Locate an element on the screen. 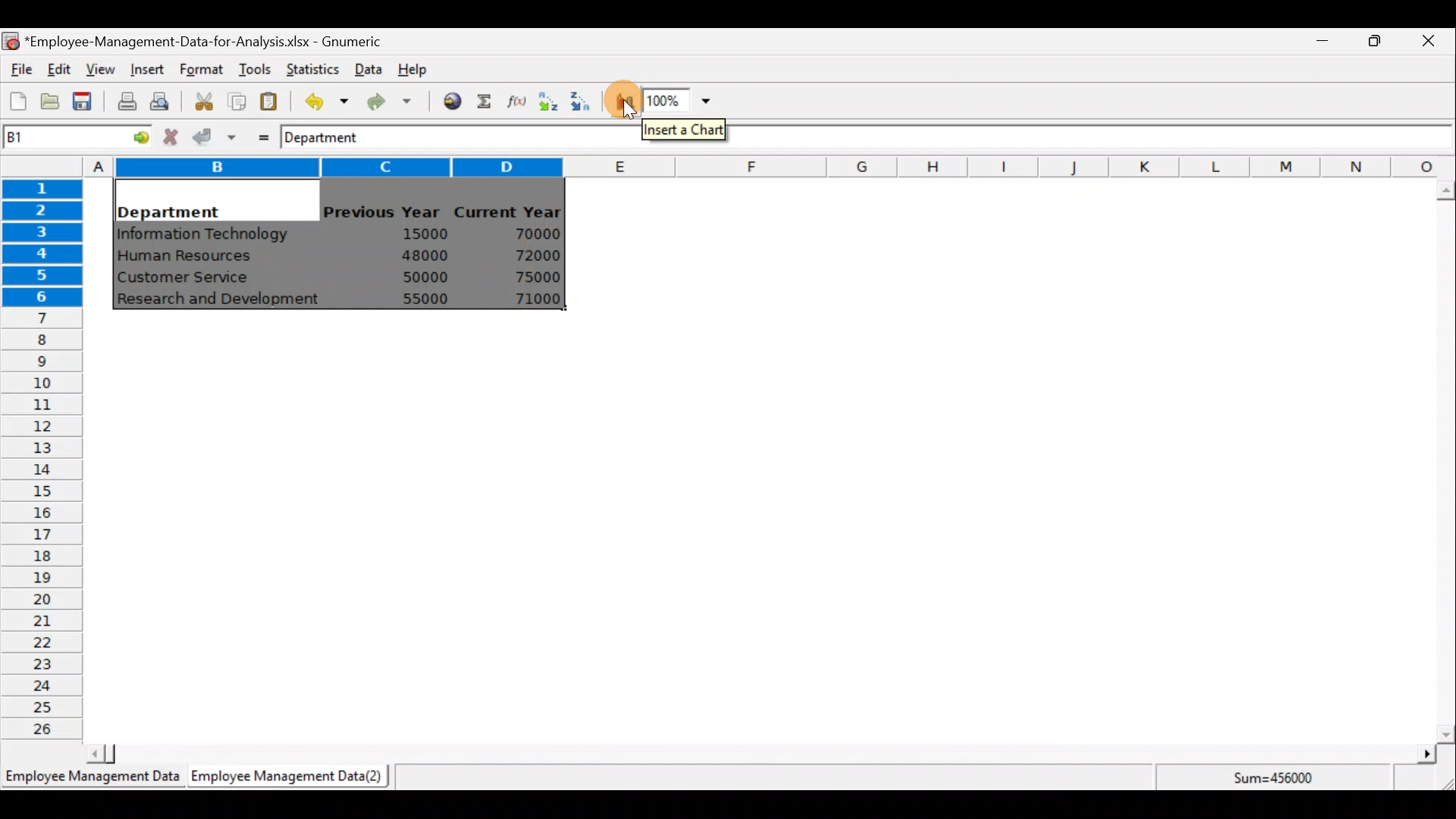 This screenshot has height=819, width=1456. Employee Management Data (2) is located at coordinates (290, 777).